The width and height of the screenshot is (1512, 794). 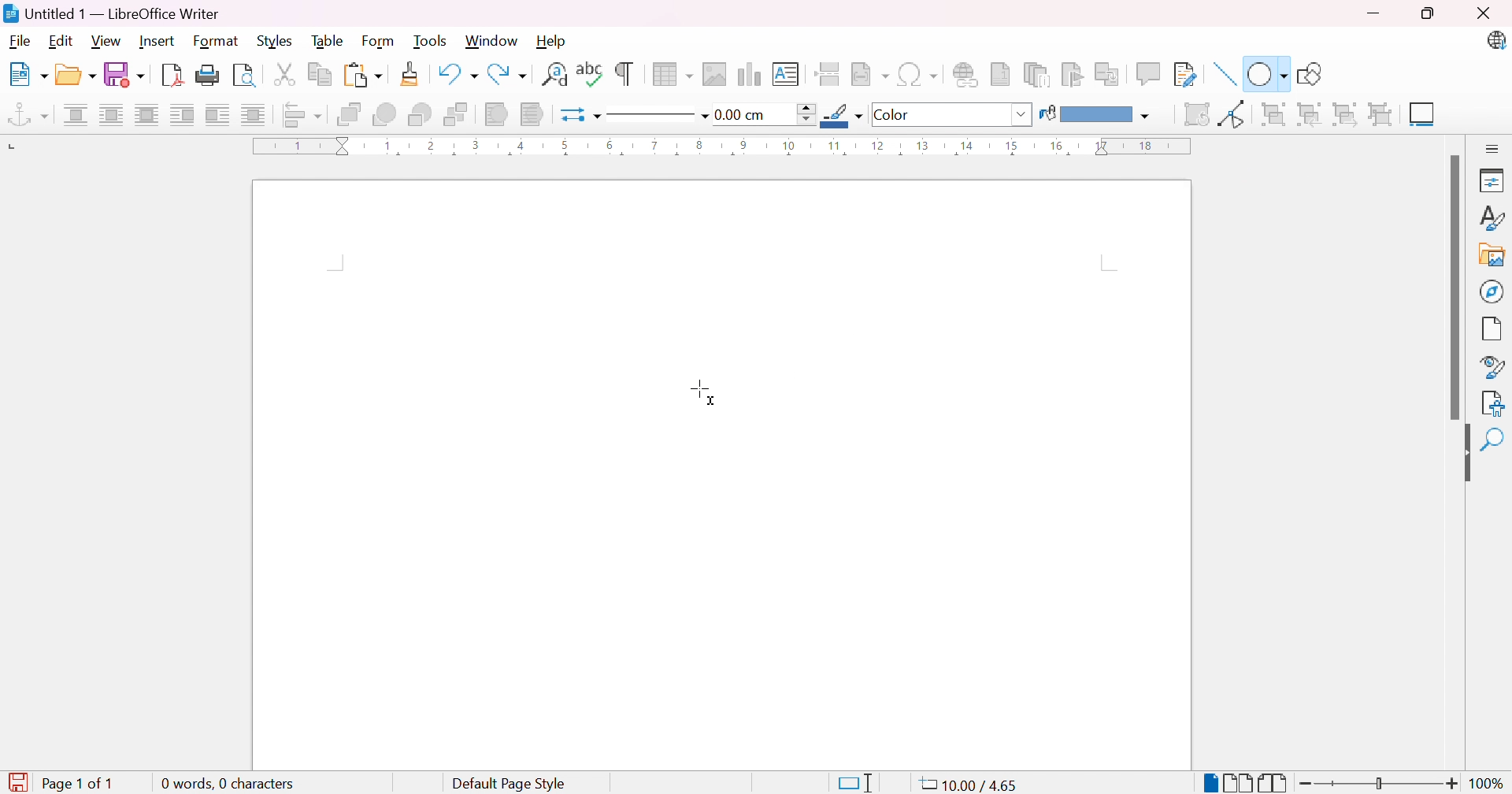 What do you see at coordinates (855, 783) in the screenshot?
I see `Standard selection. Click to change selection mode.` at bounding box center [855, 783].